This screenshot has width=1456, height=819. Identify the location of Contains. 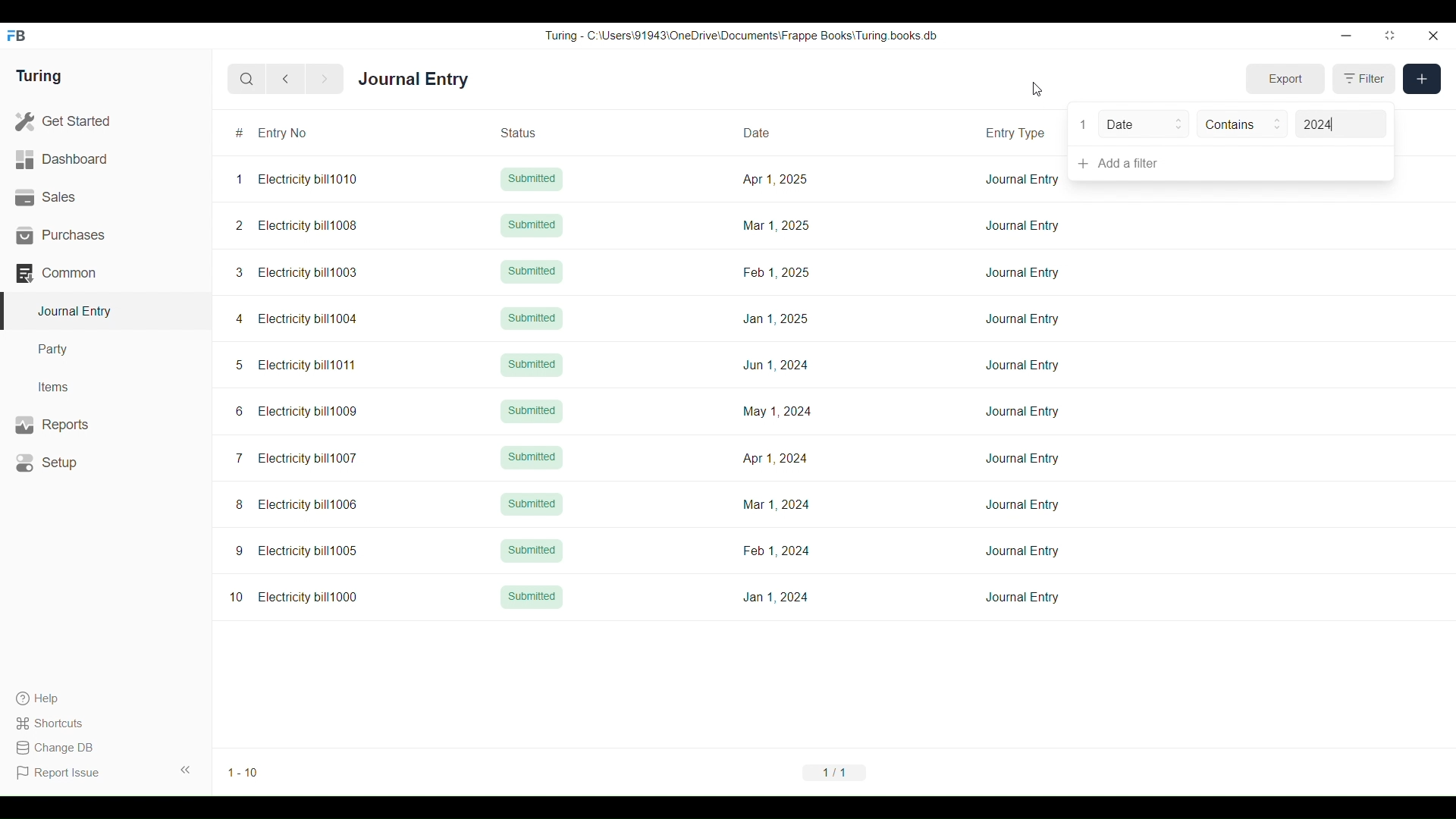
(1242, 124).